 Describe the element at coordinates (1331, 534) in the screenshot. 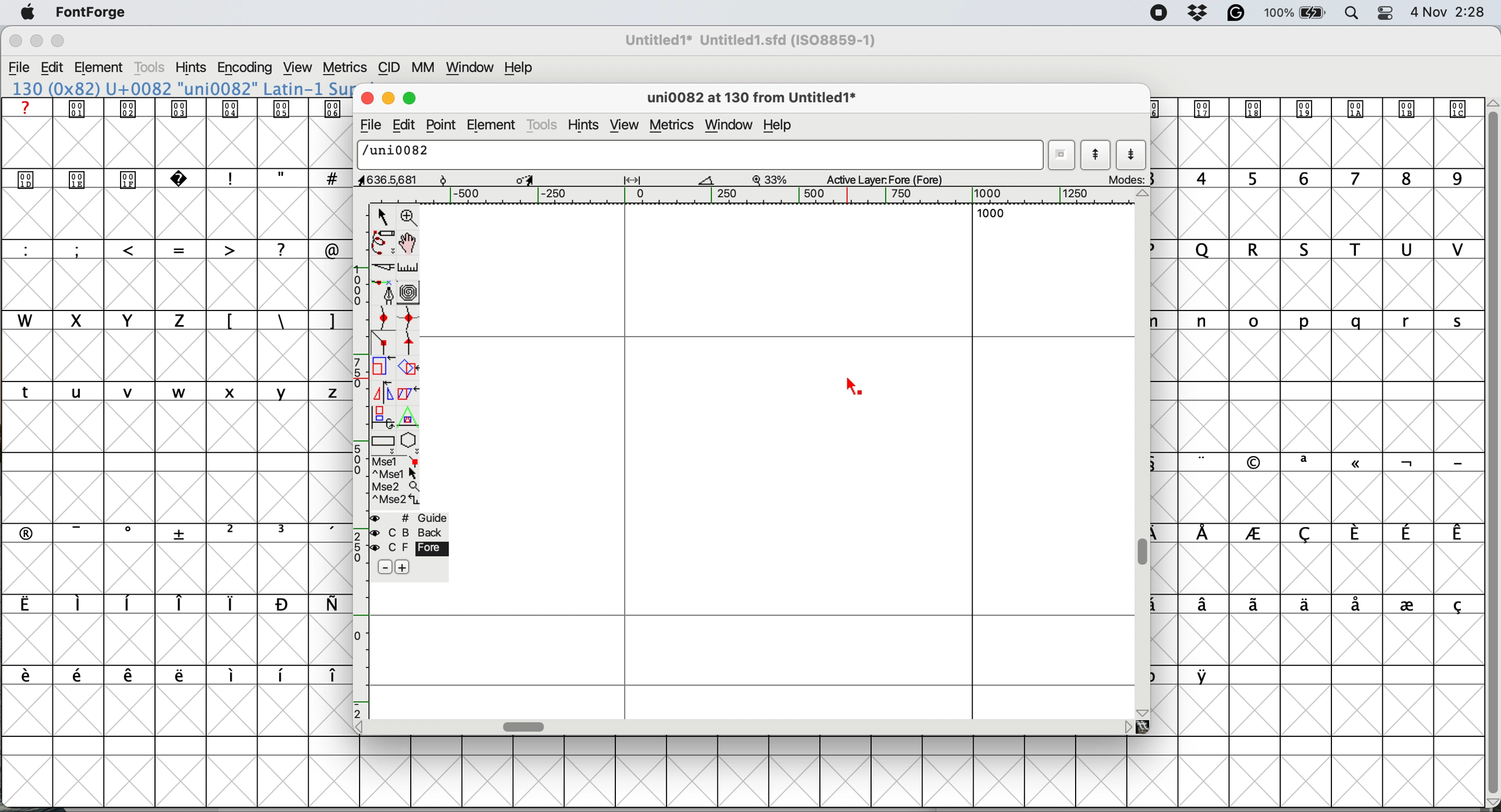

I see `symbols` at that location.